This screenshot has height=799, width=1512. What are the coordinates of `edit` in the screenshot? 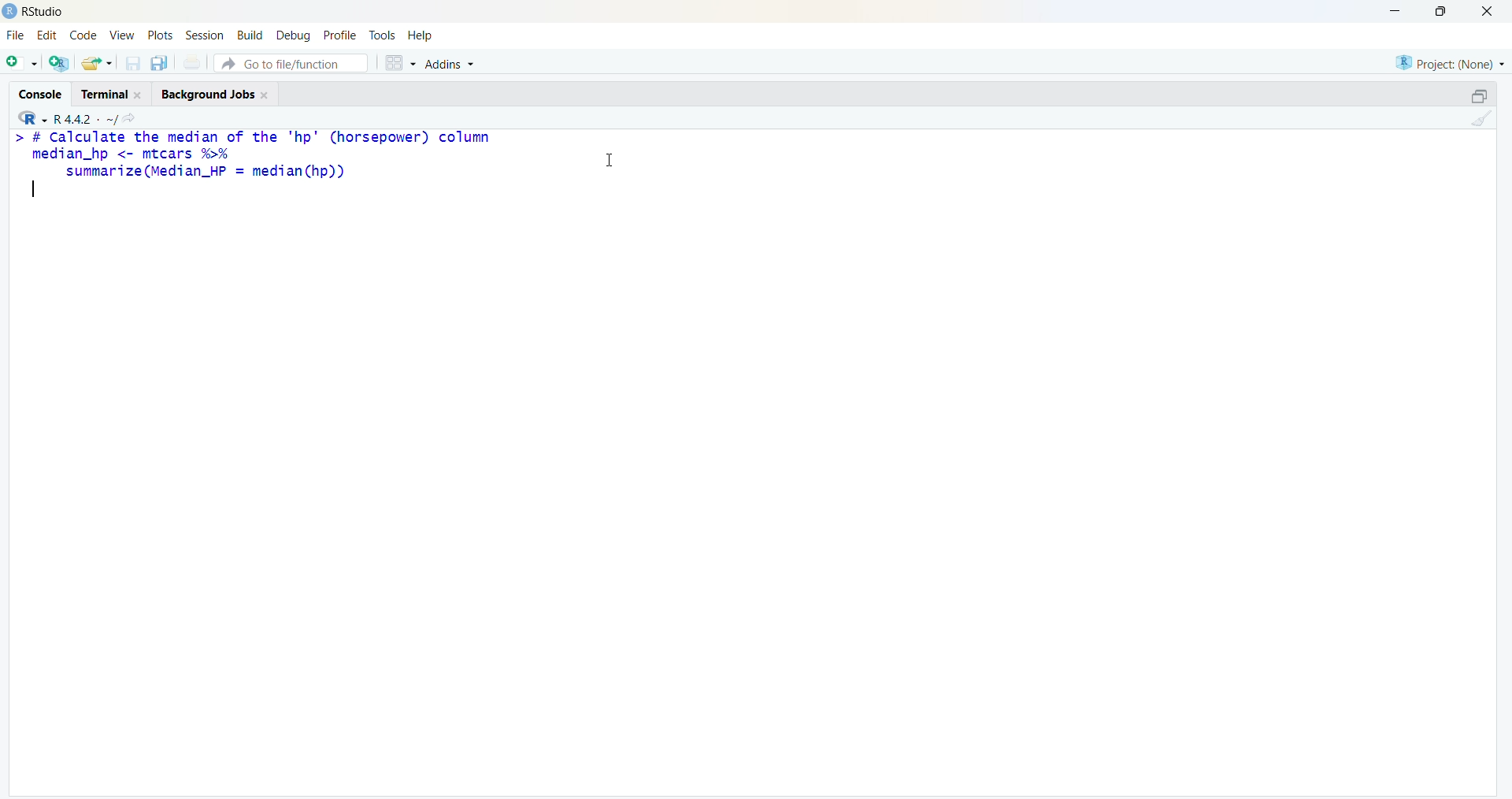 It's located at (46, 35).